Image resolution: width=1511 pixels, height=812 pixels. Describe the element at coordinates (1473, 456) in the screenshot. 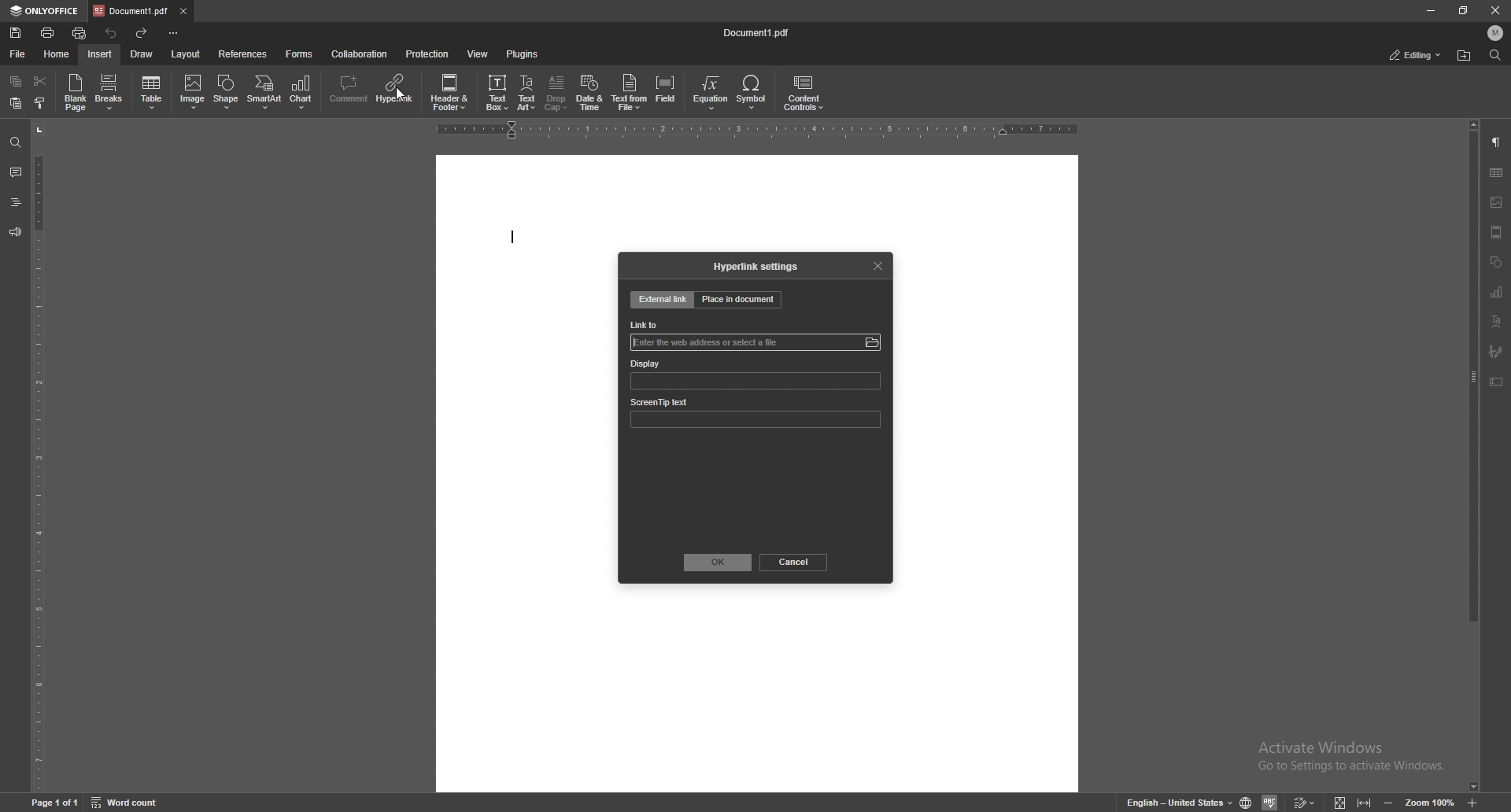

I see `scroll bar` at that location.